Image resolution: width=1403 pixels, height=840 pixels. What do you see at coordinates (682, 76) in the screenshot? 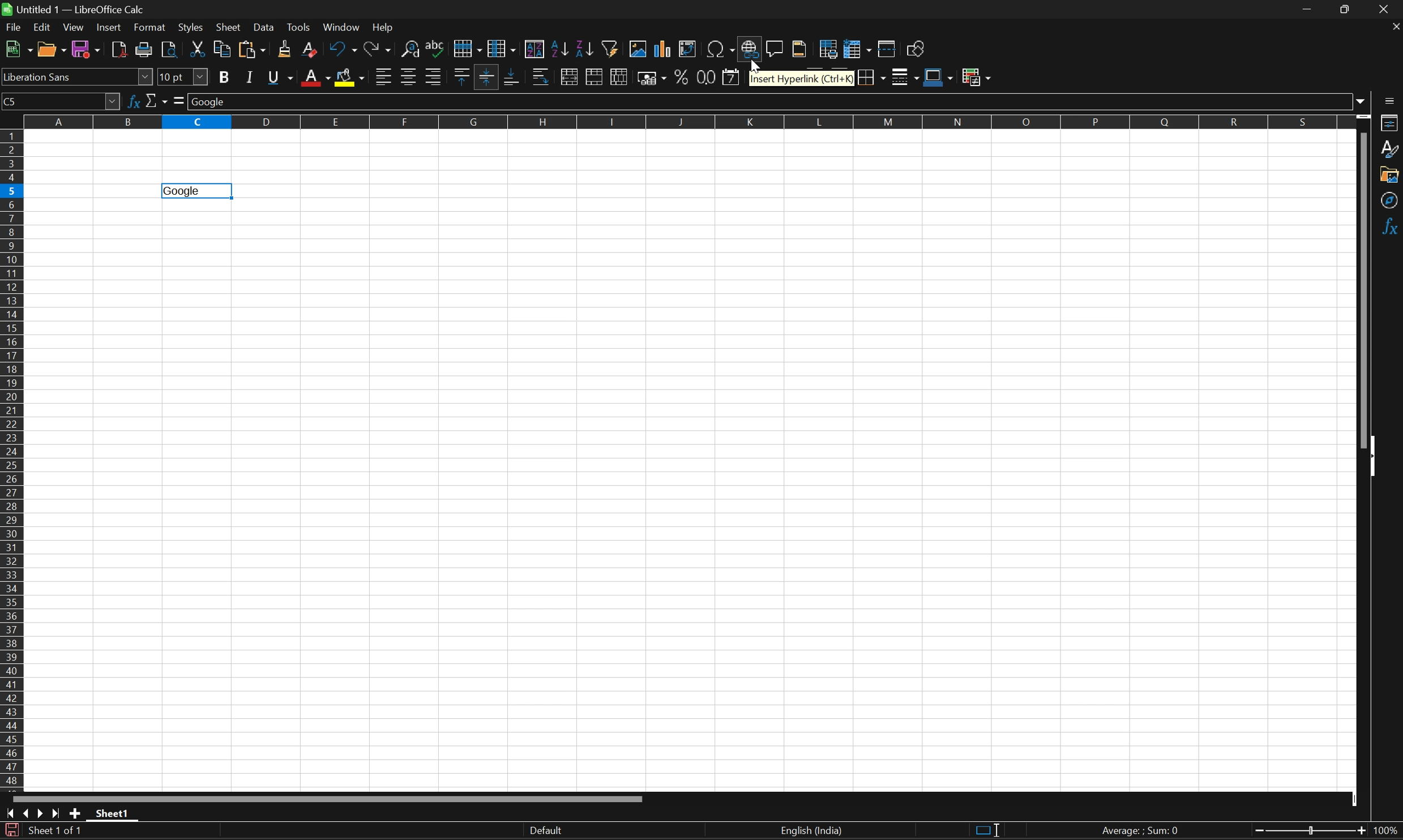
I see `Format as percent` at bounding box center [682, 76].